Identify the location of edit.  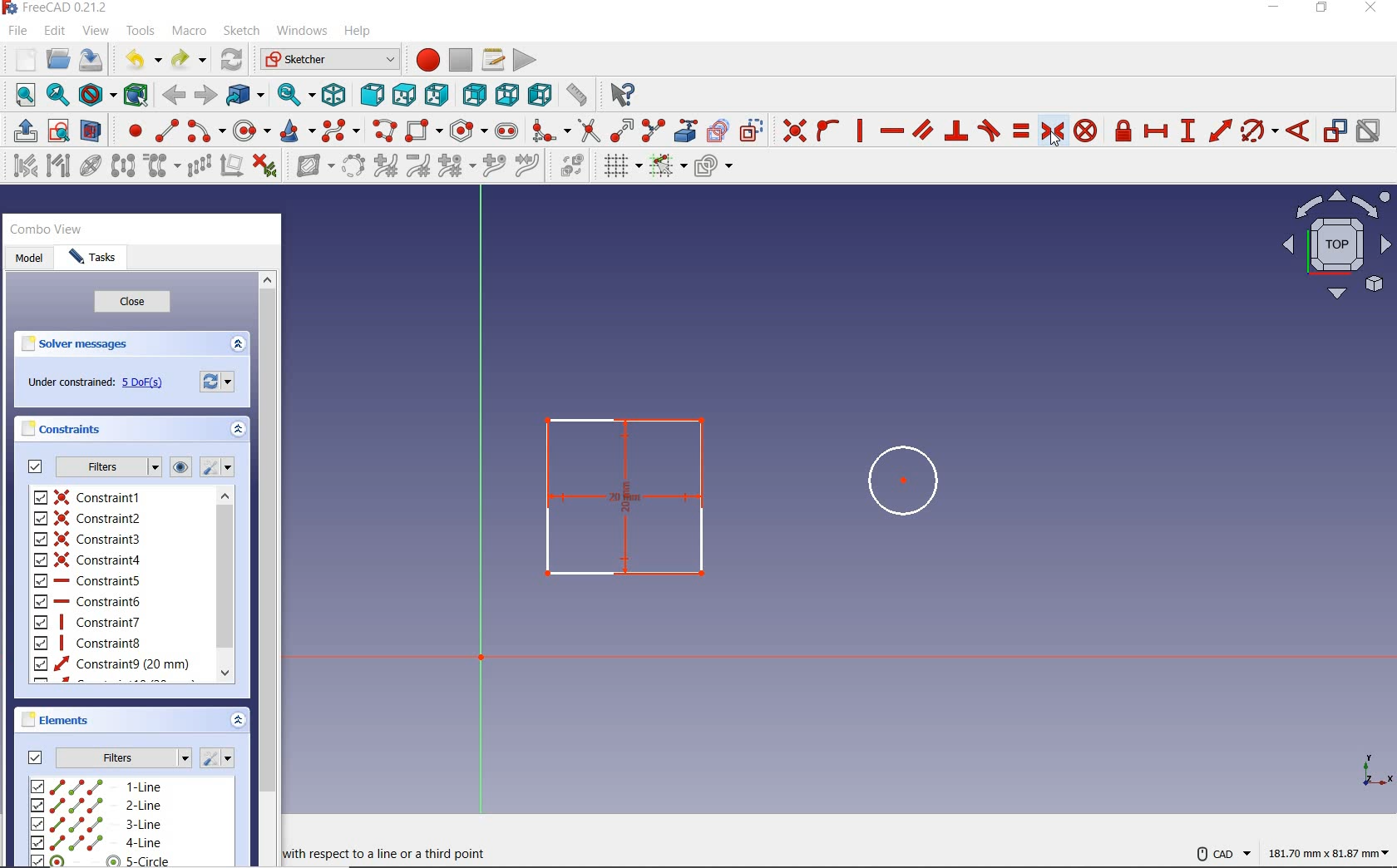
(55, 32).